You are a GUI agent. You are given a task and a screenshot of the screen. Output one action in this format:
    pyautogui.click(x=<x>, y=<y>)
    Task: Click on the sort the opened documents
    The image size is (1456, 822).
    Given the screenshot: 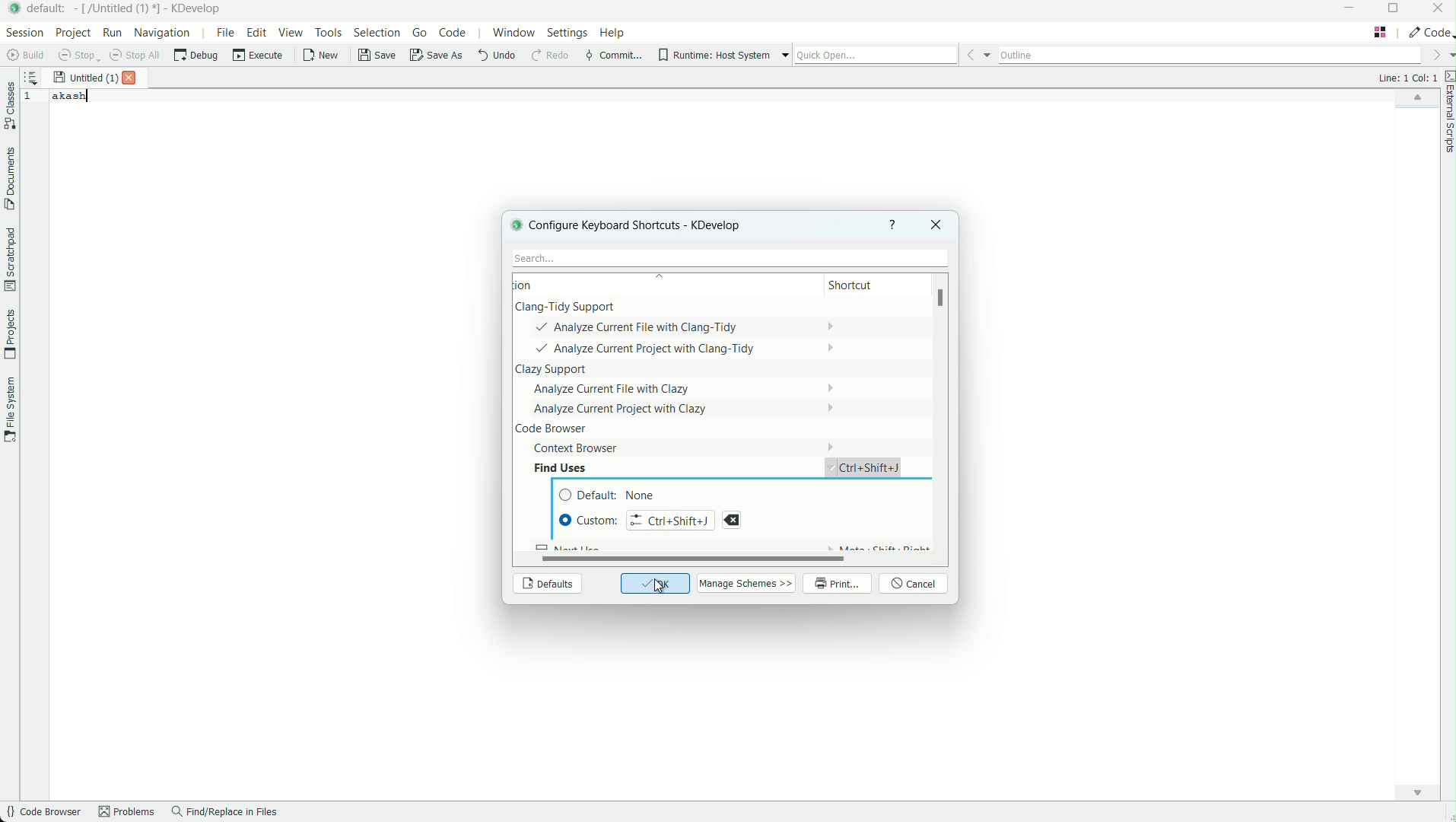 What is the action you would take?
    pyautogui.click(x=31, y=75)
    